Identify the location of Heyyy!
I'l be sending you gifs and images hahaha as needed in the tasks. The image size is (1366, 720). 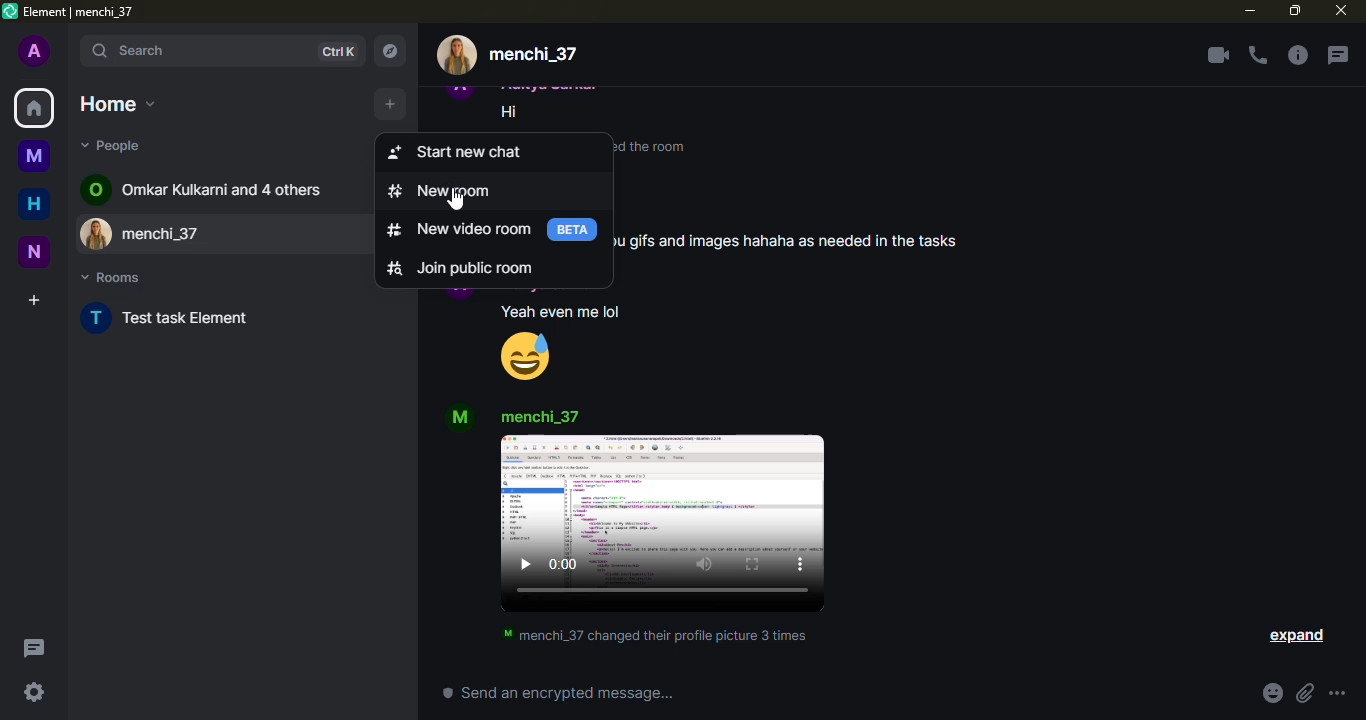
(787, 229).